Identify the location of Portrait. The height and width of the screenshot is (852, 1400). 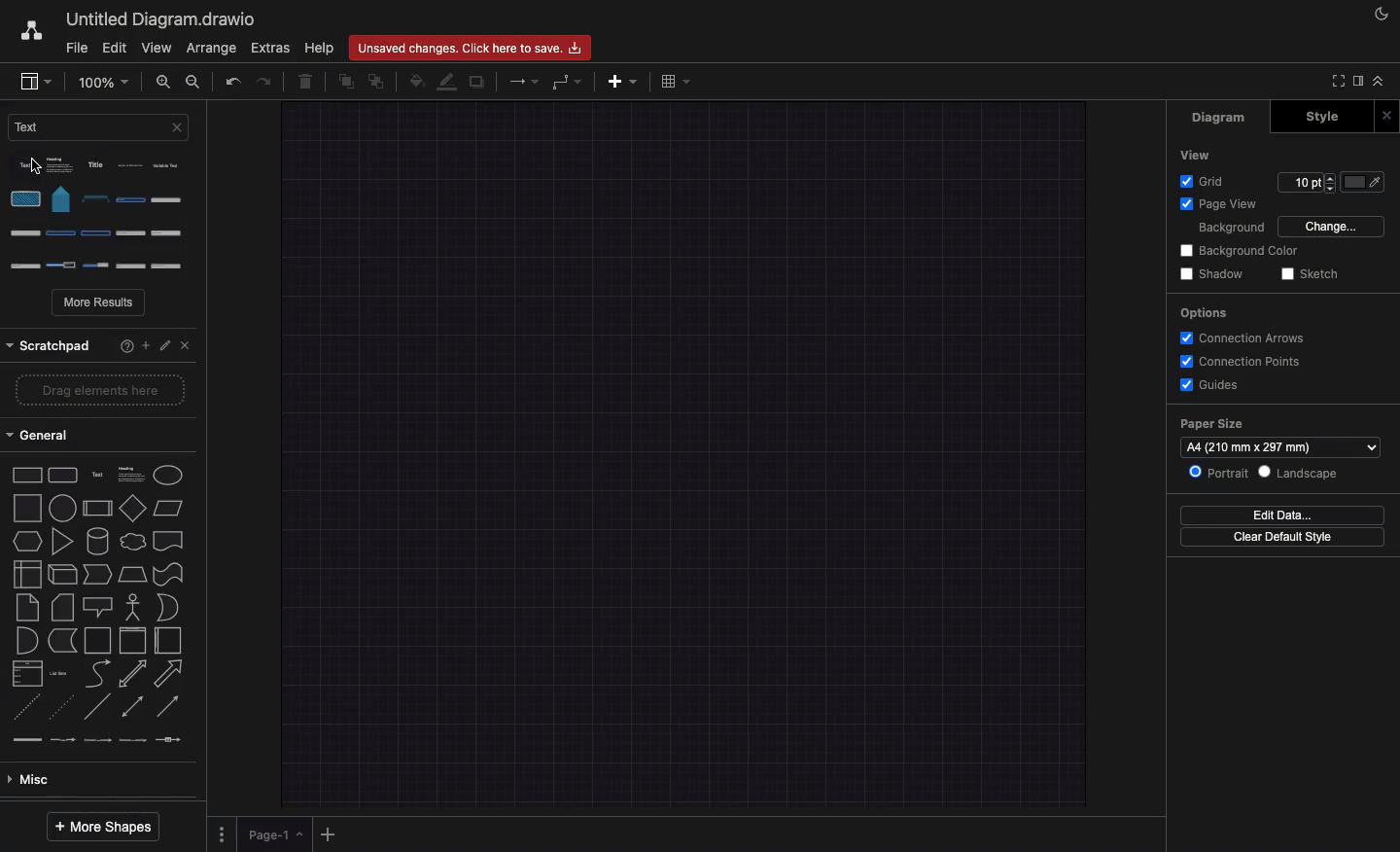
(1217, 471).